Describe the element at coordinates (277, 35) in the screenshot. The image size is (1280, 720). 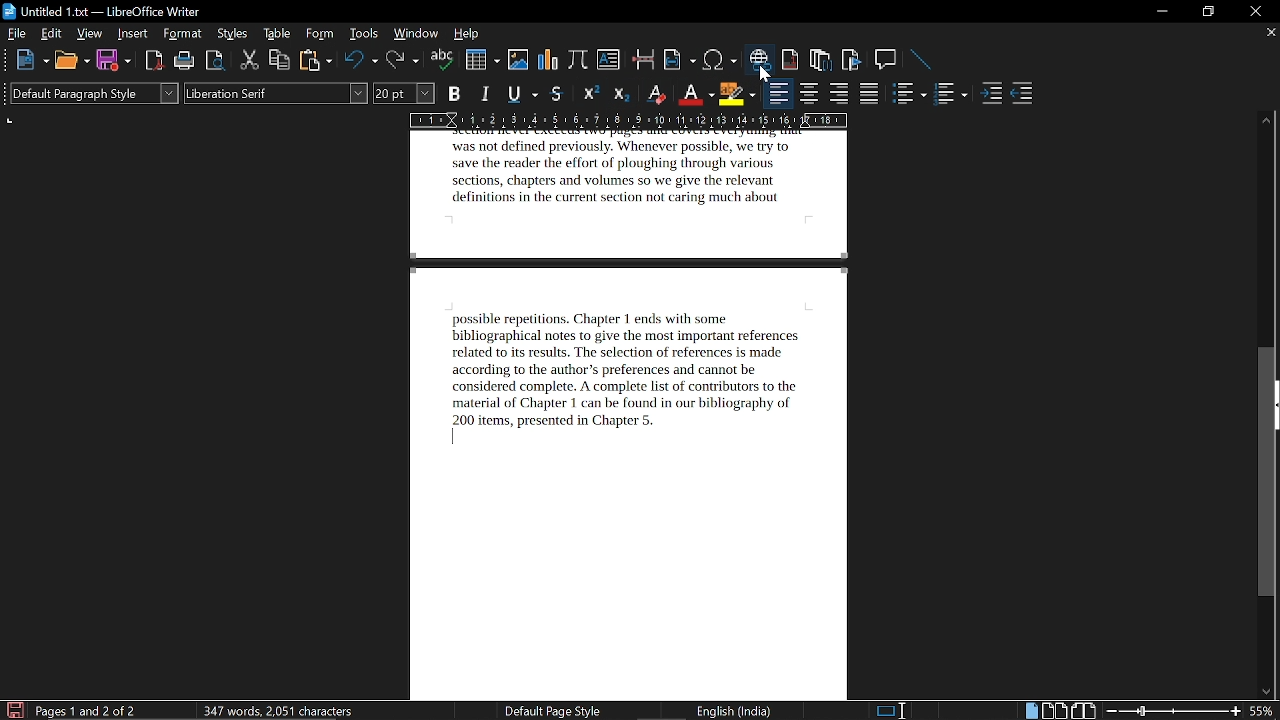
I see `table` at that location.